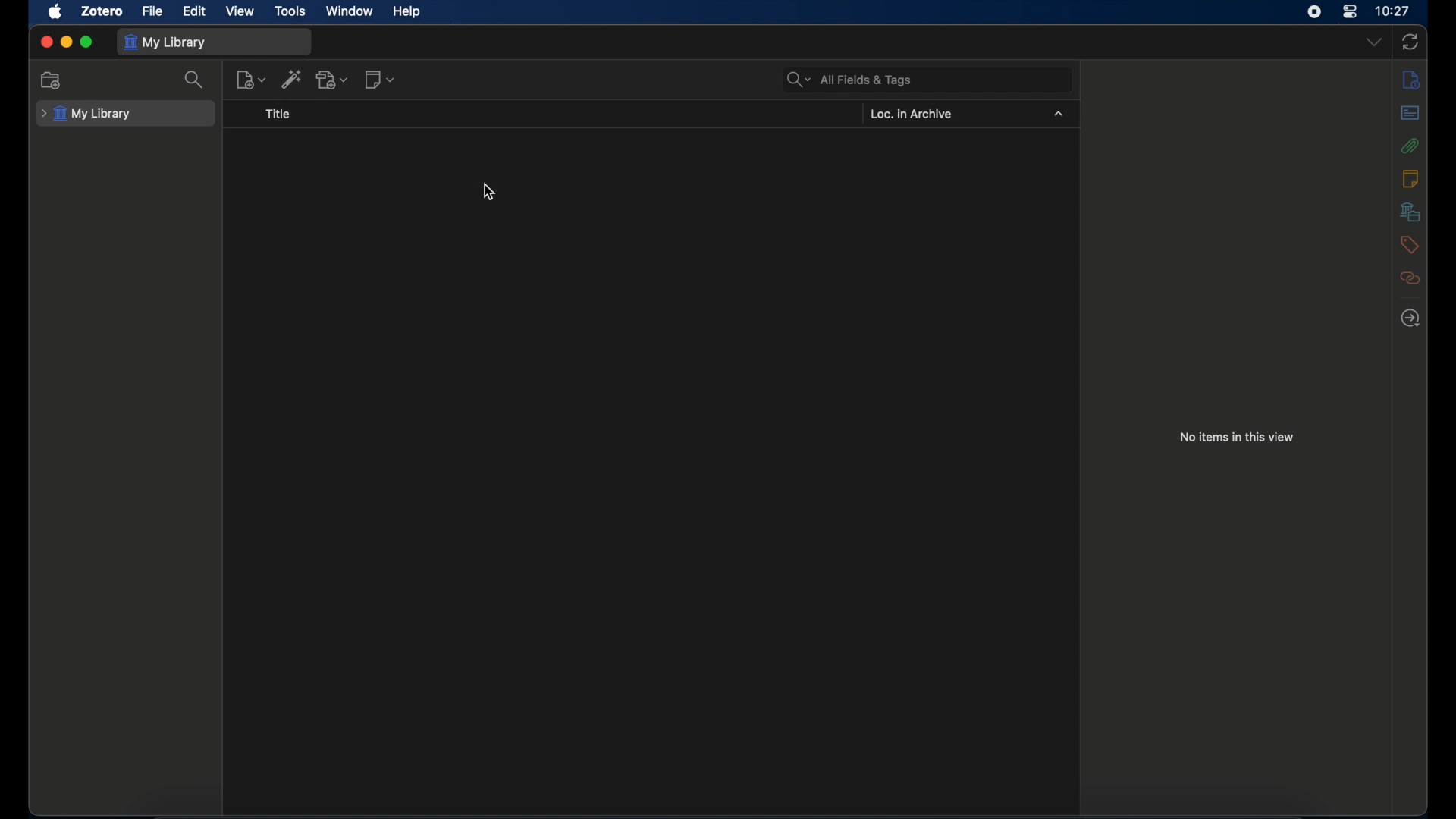 The height and width of the screenshot is (819, 1456). I want to click on file, so click(153, 12).